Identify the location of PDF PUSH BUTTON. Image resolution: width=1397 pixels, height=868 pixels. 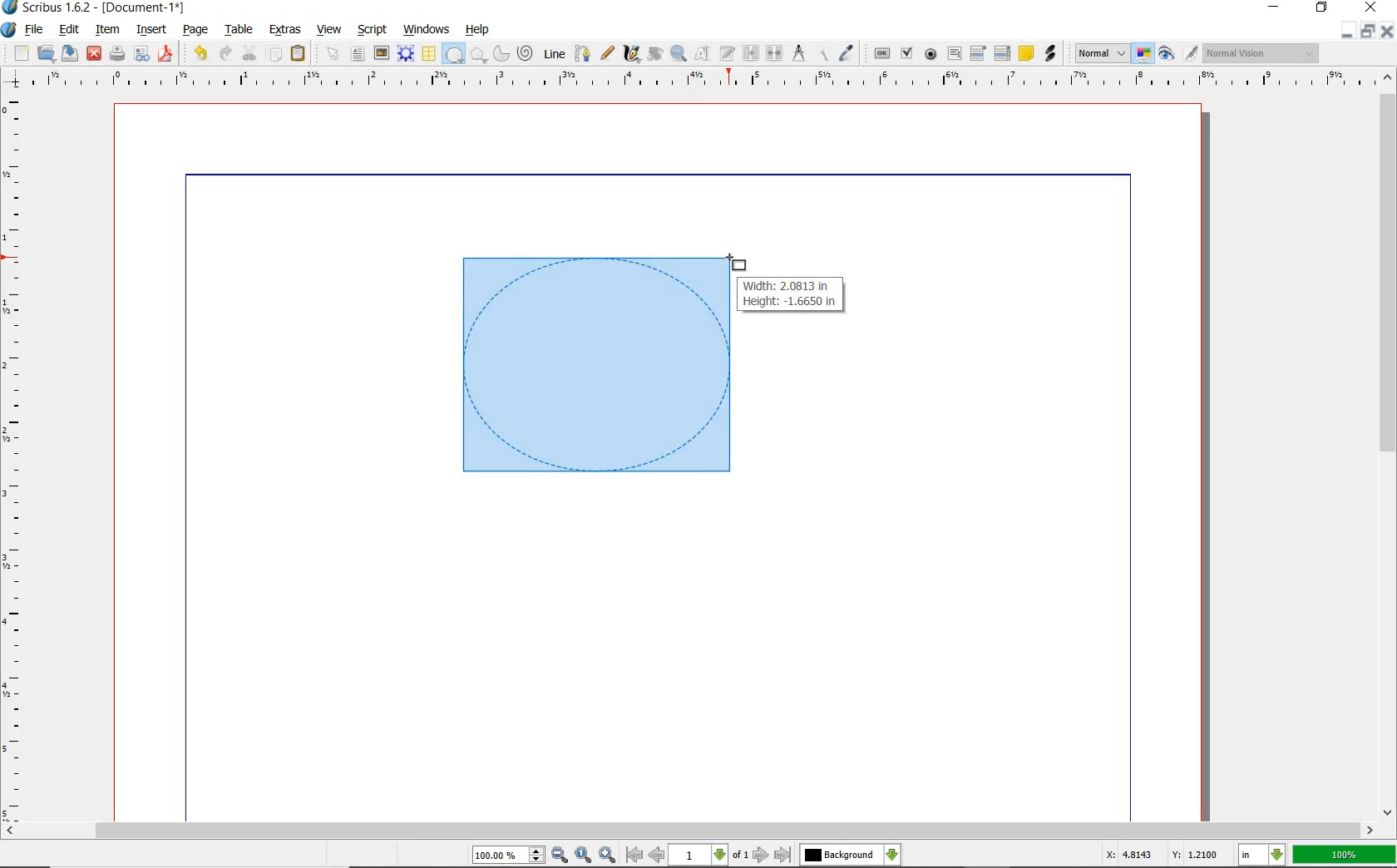
(881, 54).